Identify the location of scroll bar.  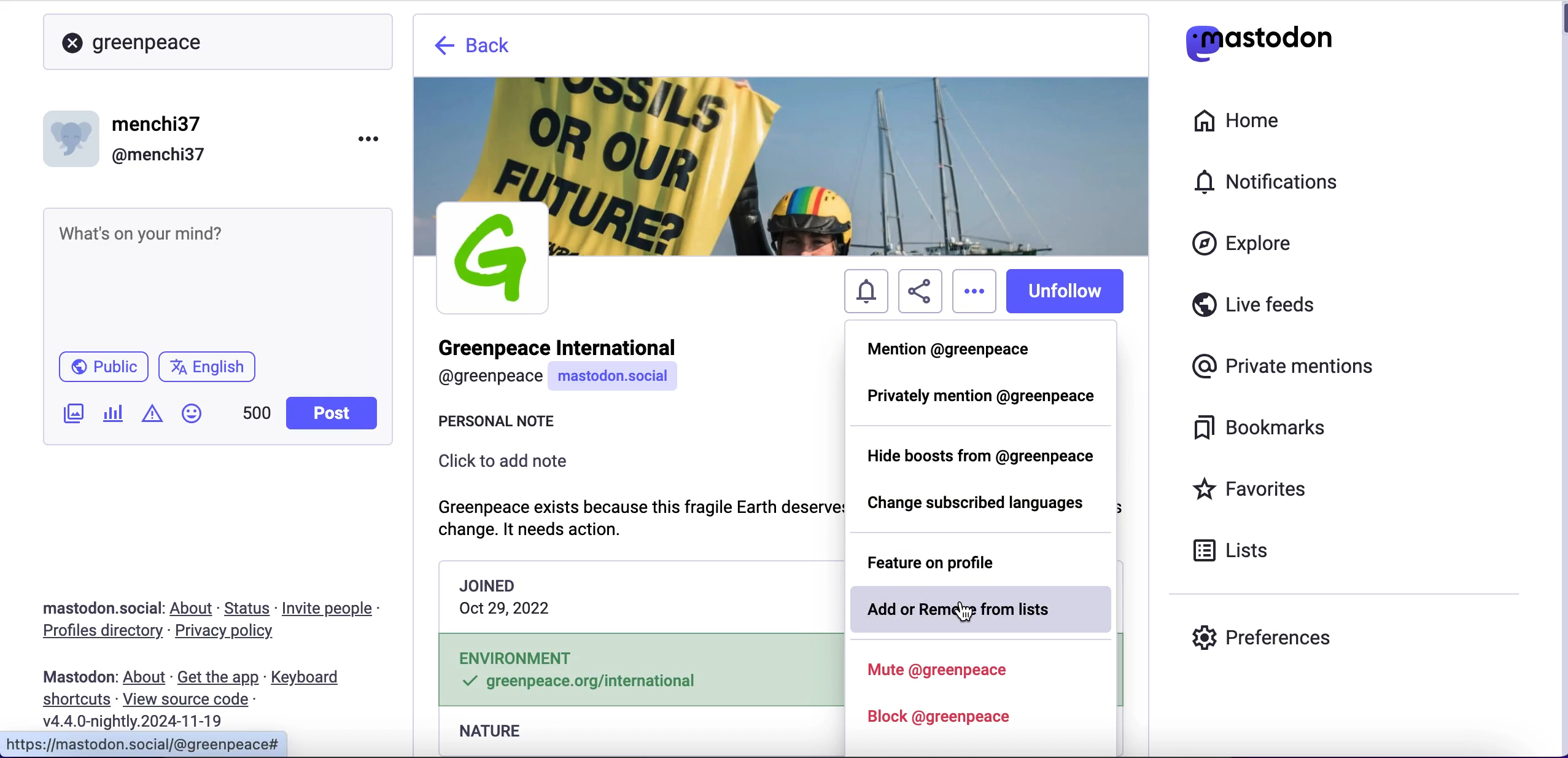
(1561, 381).